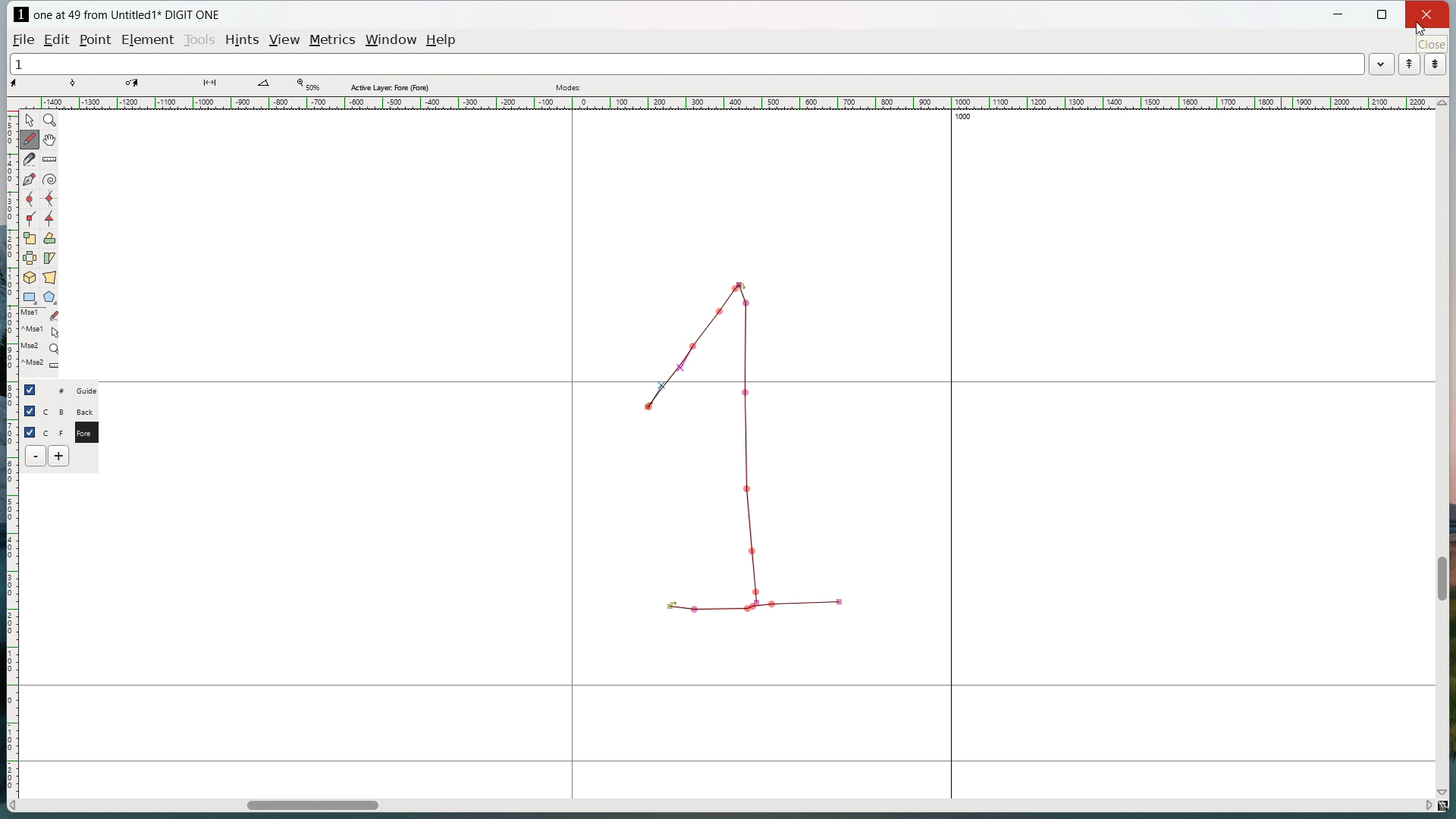 This screenshot has height=819, width=1456. Describe the element at coordinates (50, 297) in the screenshot. I see `polygon/star` at that location.